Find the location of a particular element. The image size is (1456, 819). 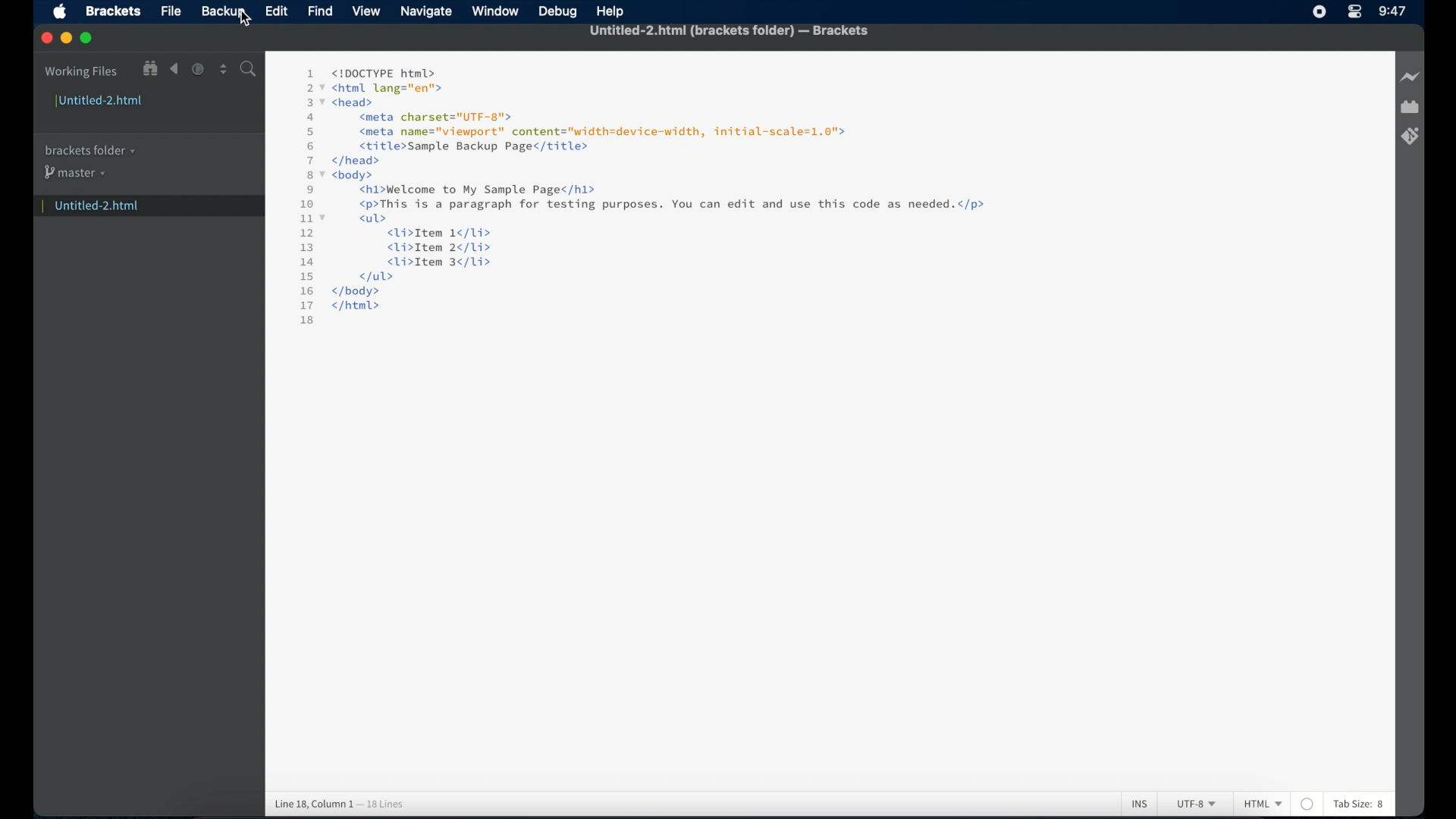

working files is located at coordinates (81, 73).